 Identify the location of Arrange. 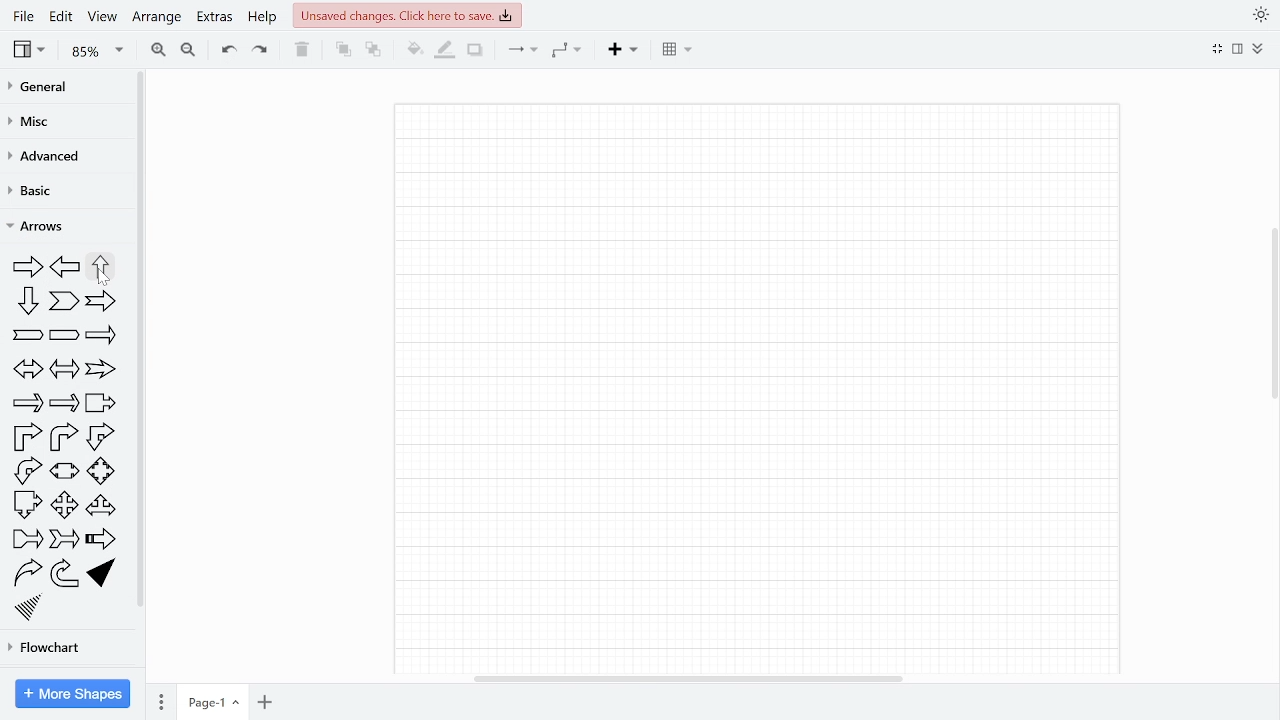
(156, 17).